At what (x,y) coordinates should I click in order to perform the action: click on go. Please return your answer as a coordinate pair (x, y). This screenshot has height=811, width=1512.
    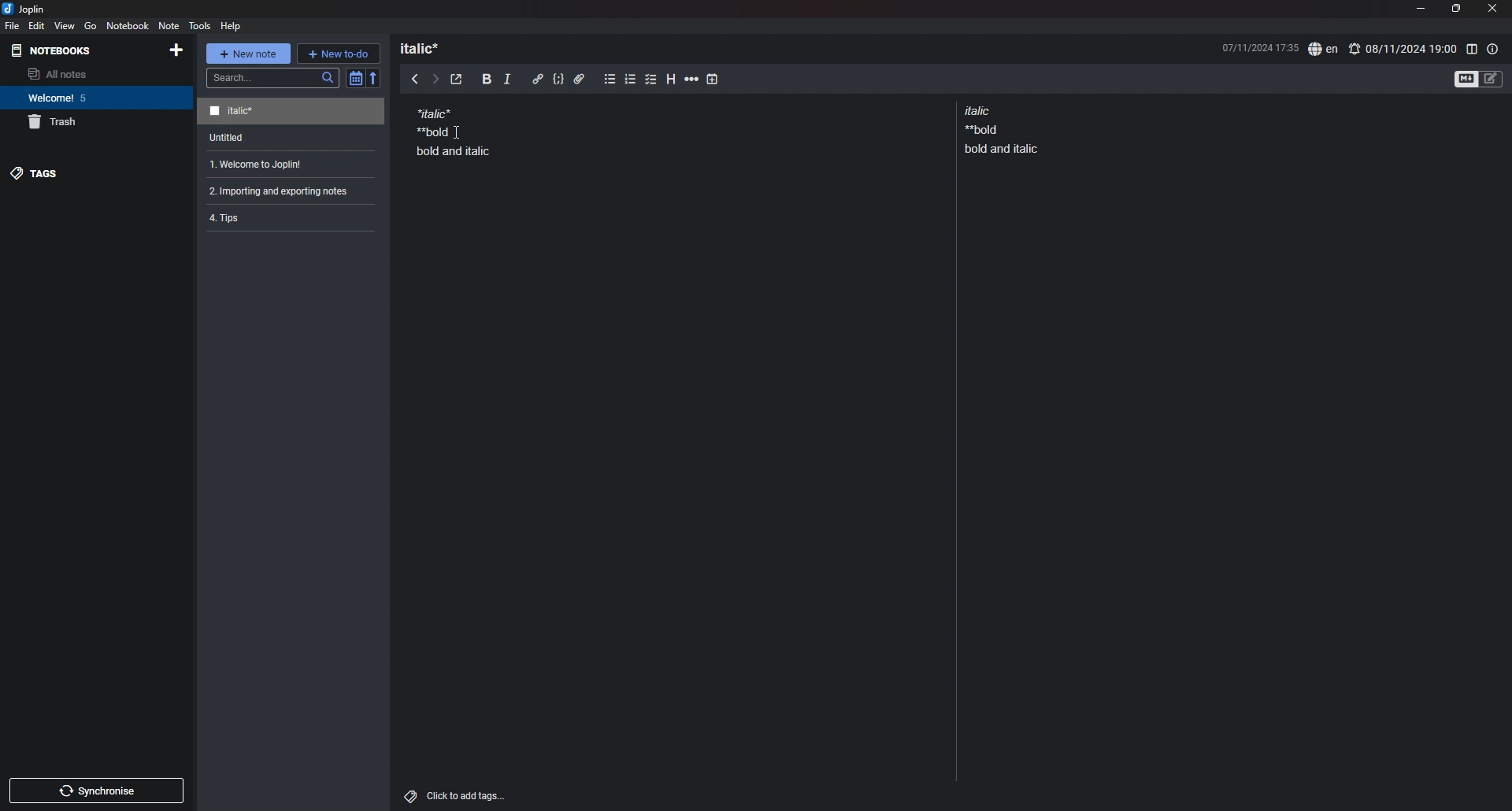
    Looking at the image, I should click on (90, 26).